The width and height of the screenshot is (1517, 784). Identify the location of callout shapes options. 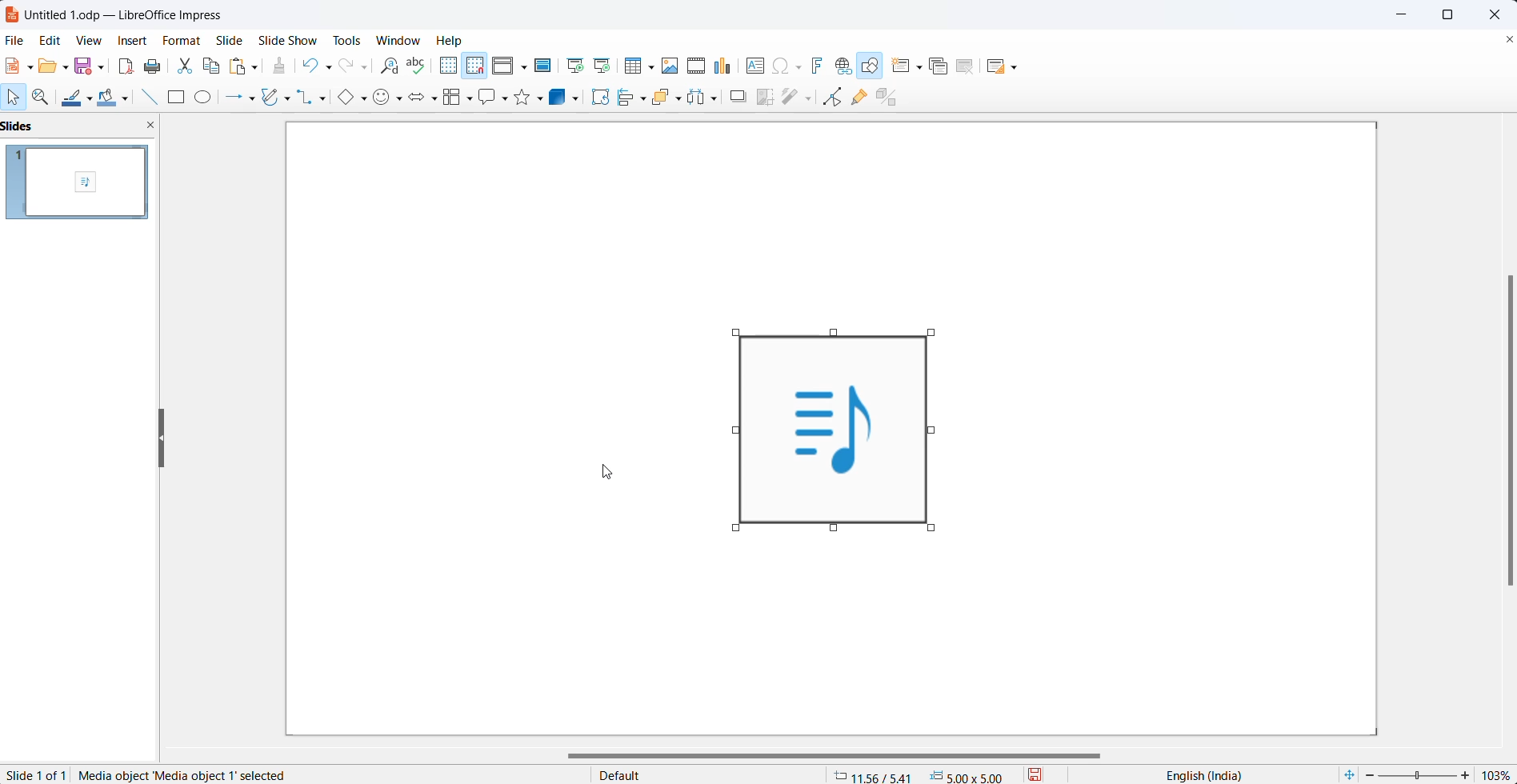
(504, 97).